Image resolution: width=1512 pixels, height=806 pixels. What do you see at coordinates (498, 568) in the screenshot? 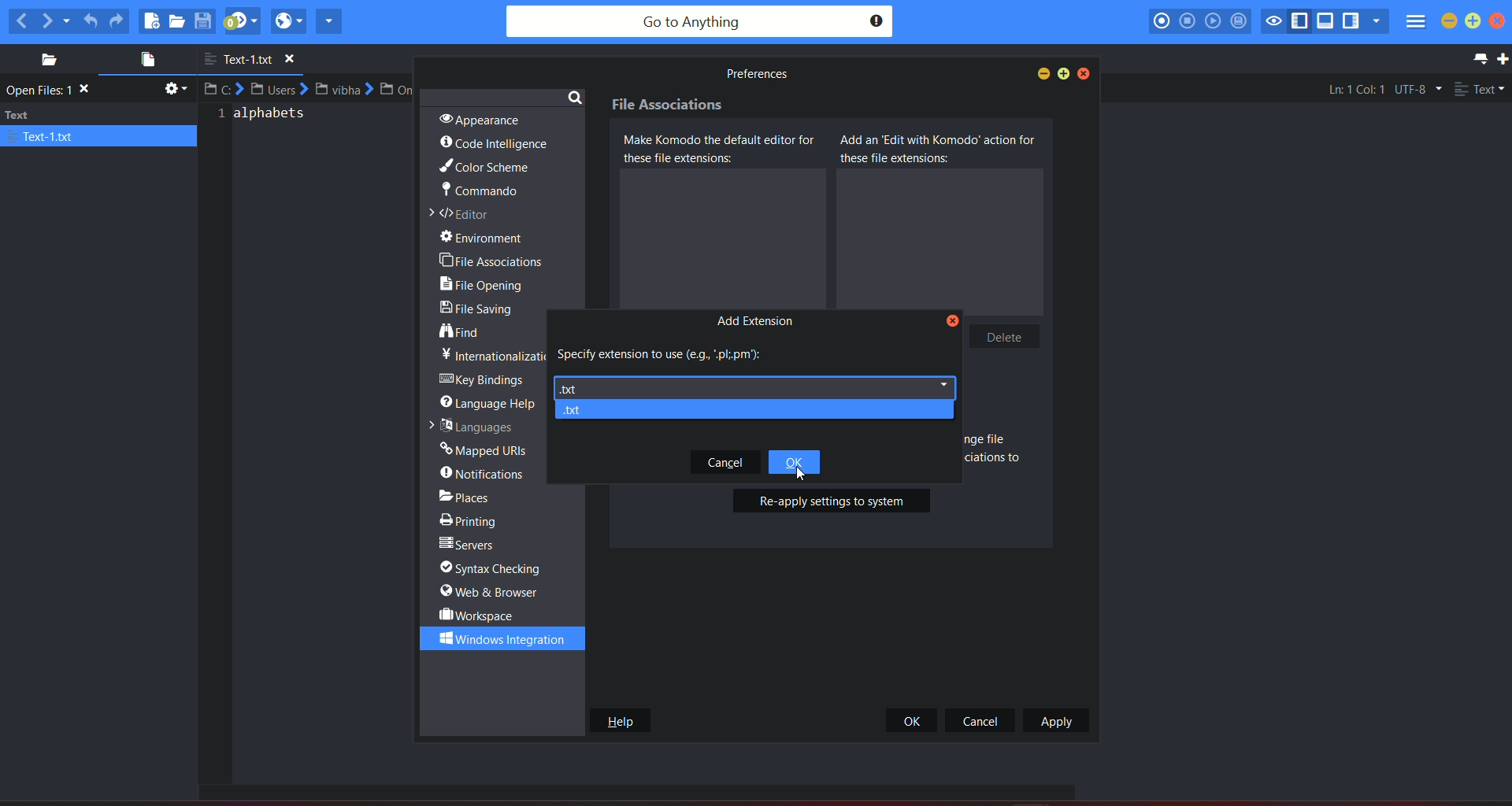
I see `syntax checking` at bounding box center [498, 568].